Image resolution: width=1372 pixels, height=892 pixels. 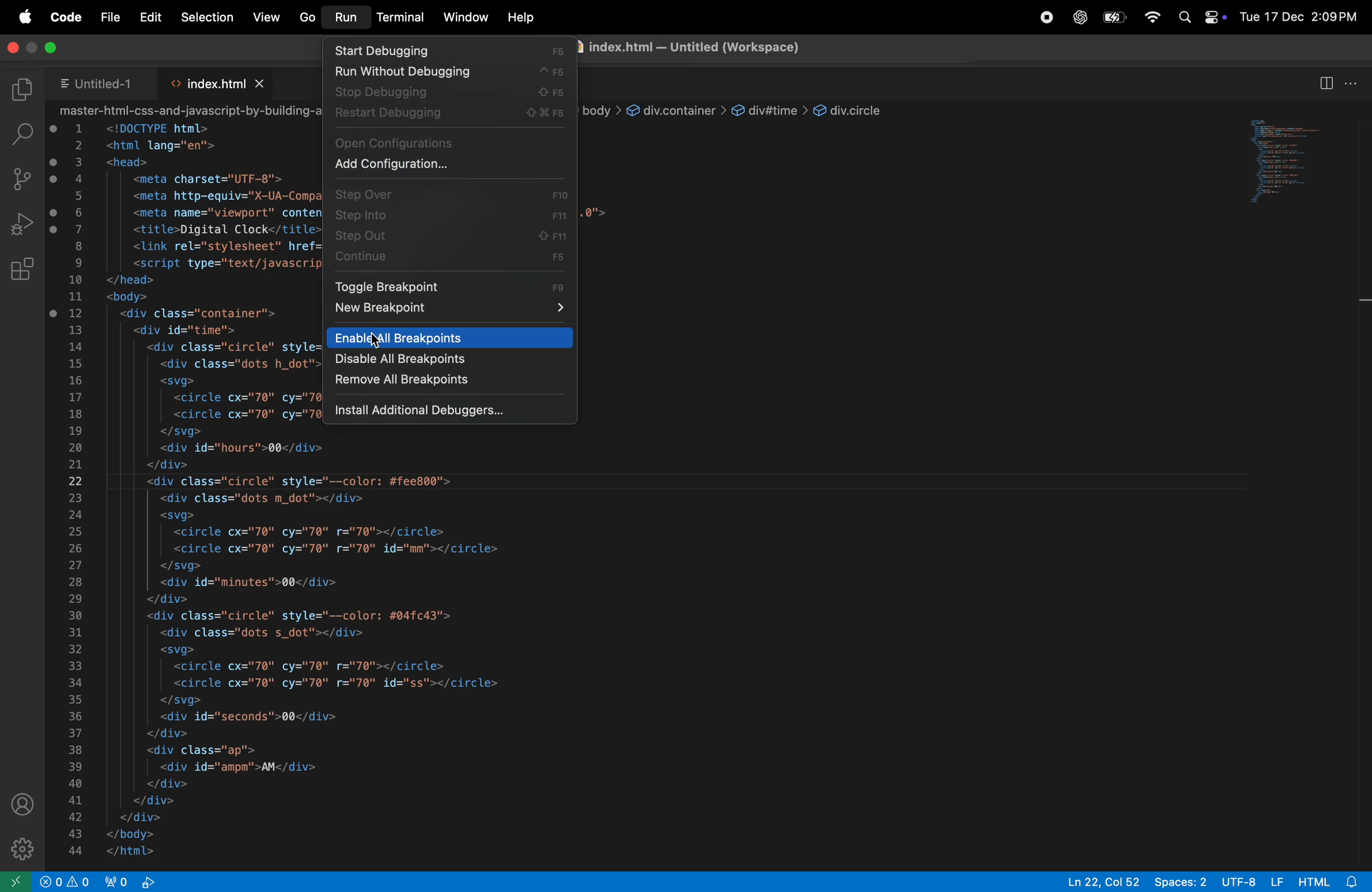 What do you see at coordinates (119, 882) in the screenshot?
I see `port` at bounding box center [119, 882].